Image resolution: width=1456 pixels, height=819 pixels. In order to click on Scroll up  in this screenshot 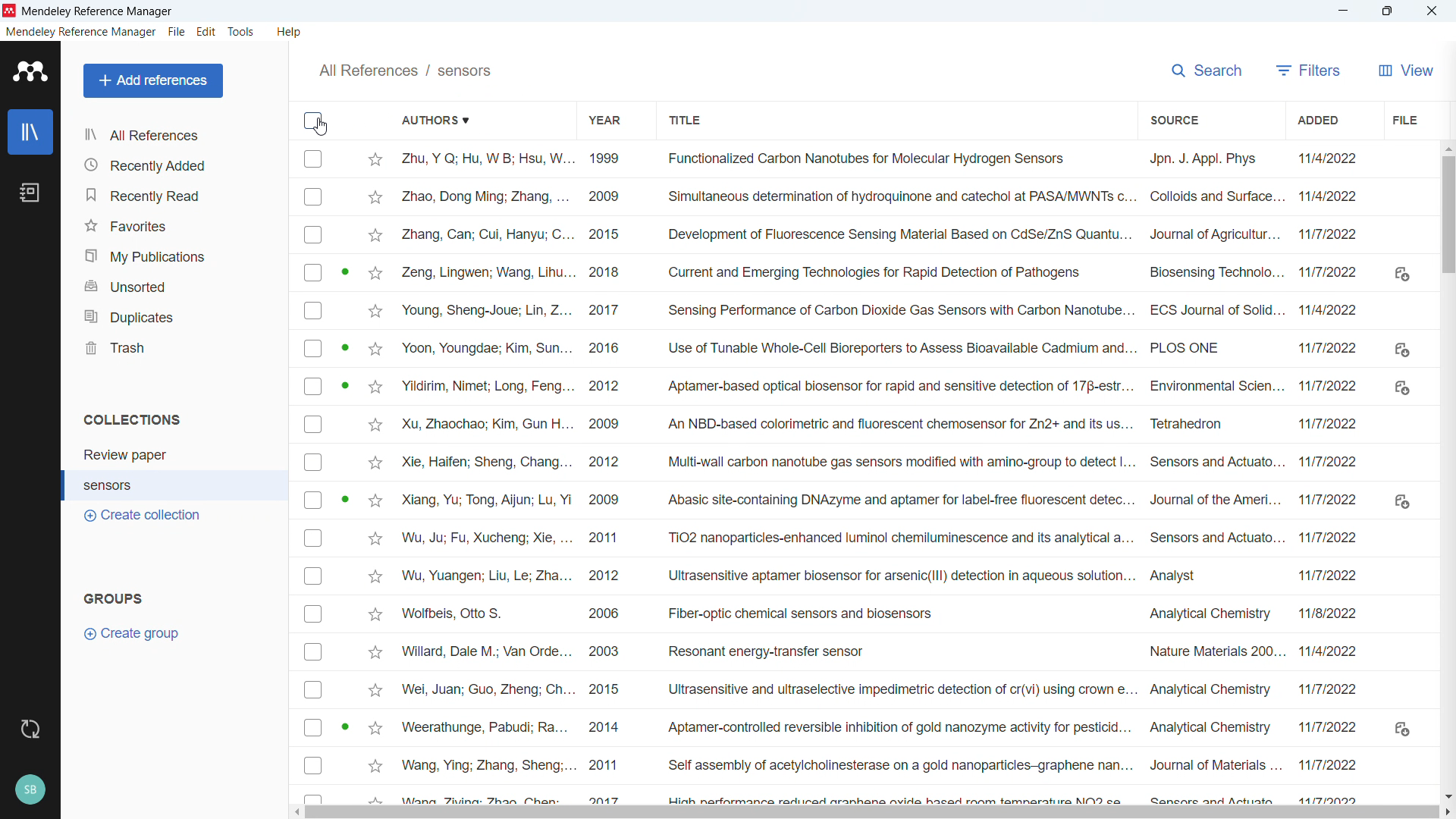, I will do `click(1447, 149)`.